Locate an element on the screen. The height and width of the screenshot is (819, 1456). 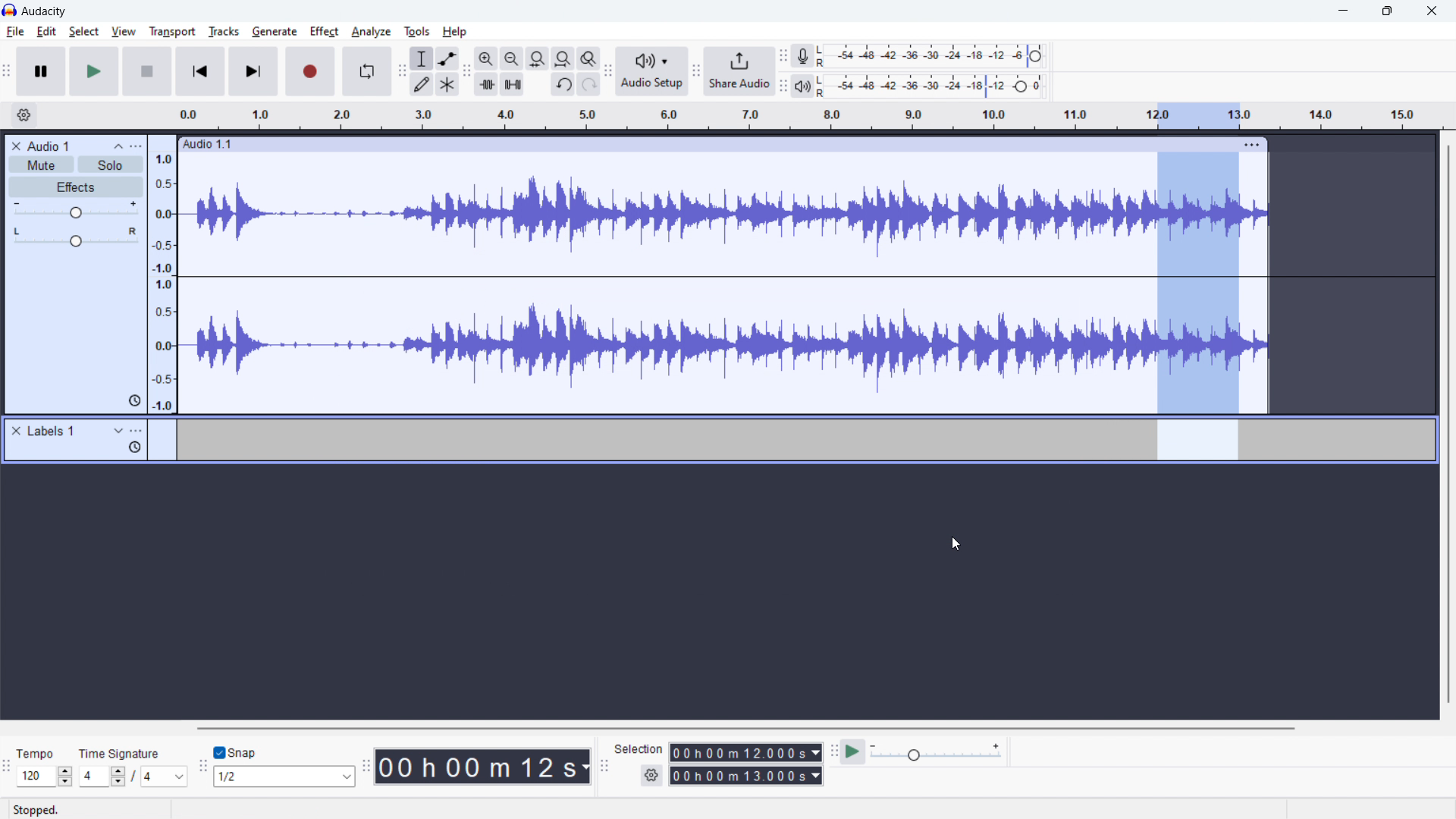
play at speed is located at coordinates (852, 751).